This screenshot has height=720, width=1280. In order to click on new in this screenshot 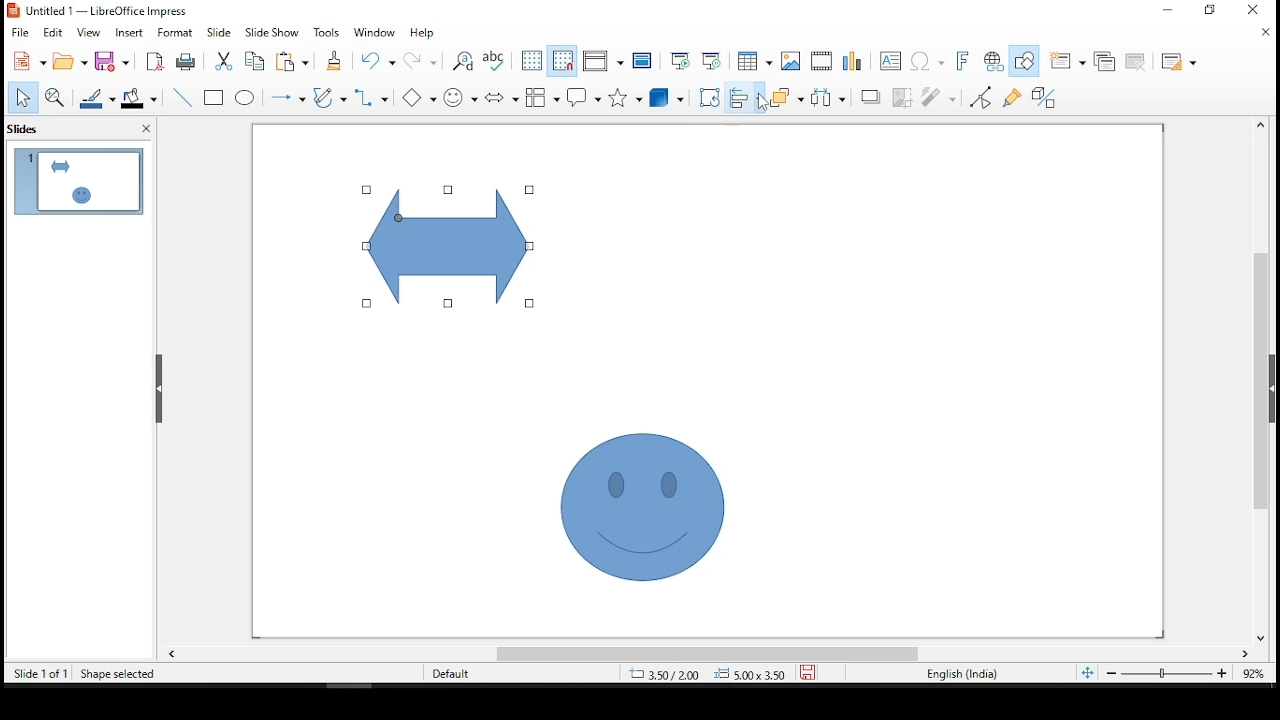, I will do `click(25, 61)`.